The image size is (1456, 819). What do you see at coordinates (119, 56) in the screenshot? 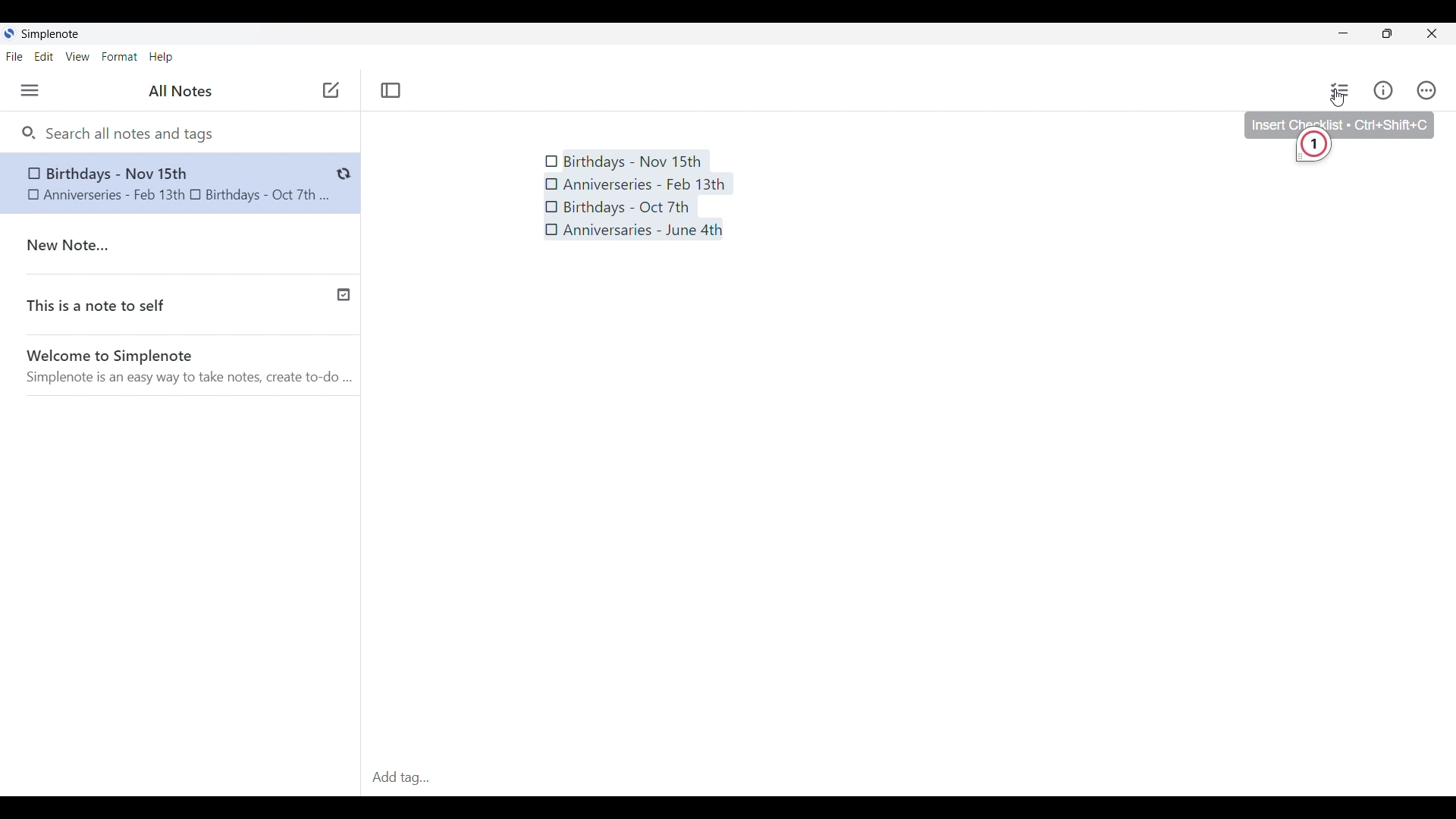
I see `Format menu` at bounding box center [119, 56].